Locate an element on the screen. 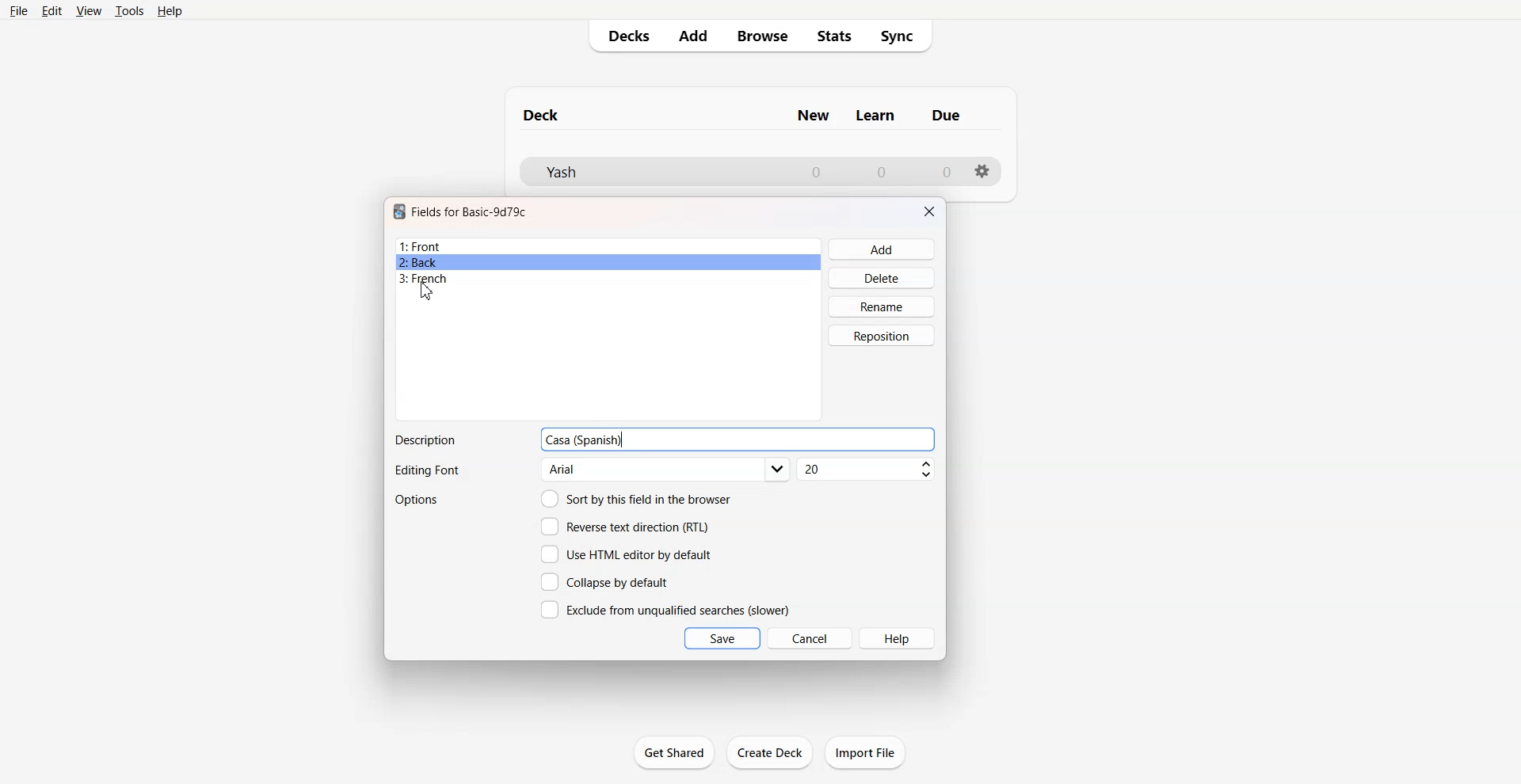  Text 1 is located at coordinates (470, 211).